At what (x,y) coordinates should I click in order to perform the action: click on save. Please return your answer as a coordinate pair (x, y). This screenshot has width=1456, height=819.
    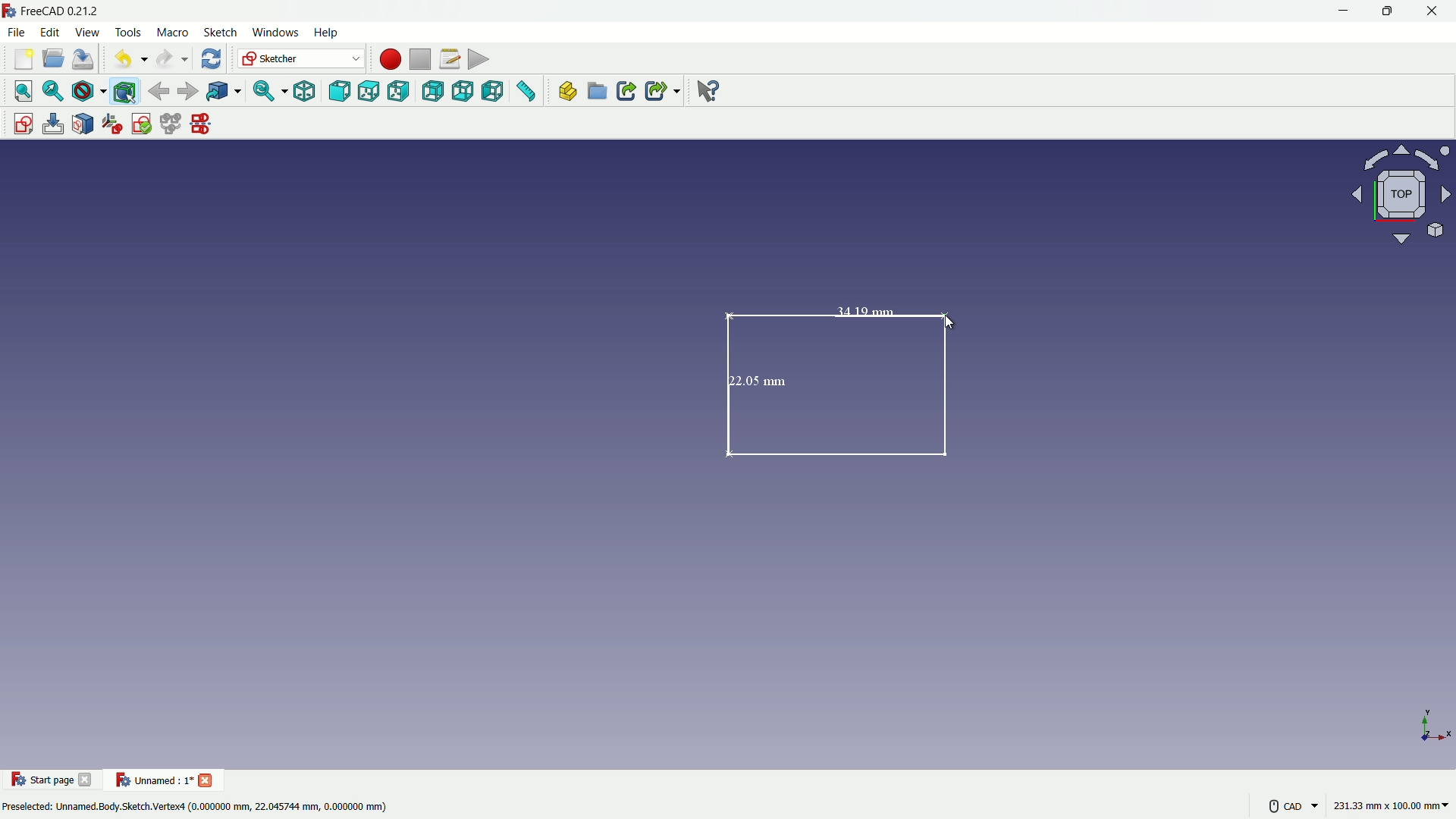
    Looking at the image, I should click on (84, 59).